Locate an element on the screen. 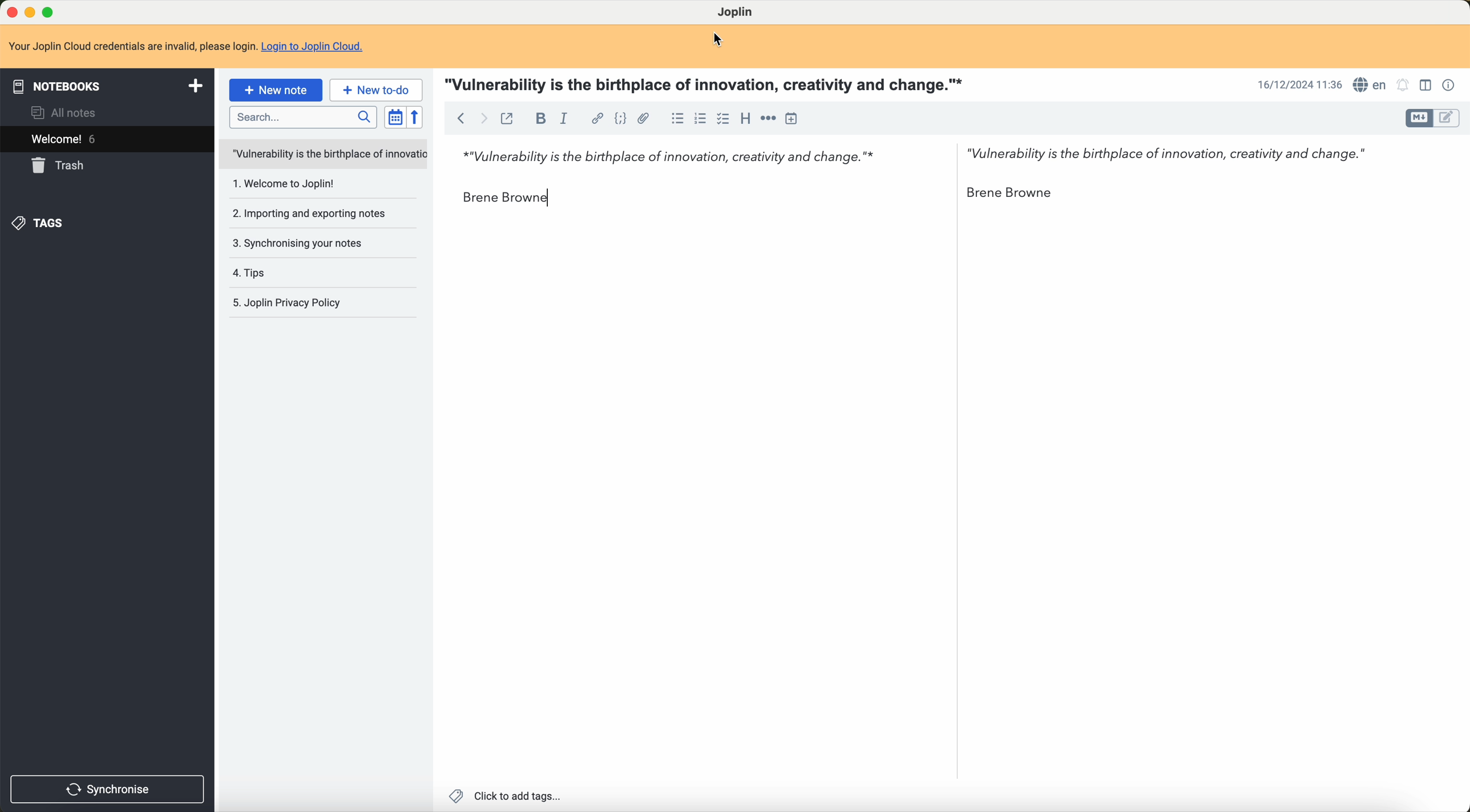 The height and width of the screenshot is (812, 1470). insert time is located at coordinates (797, 118).